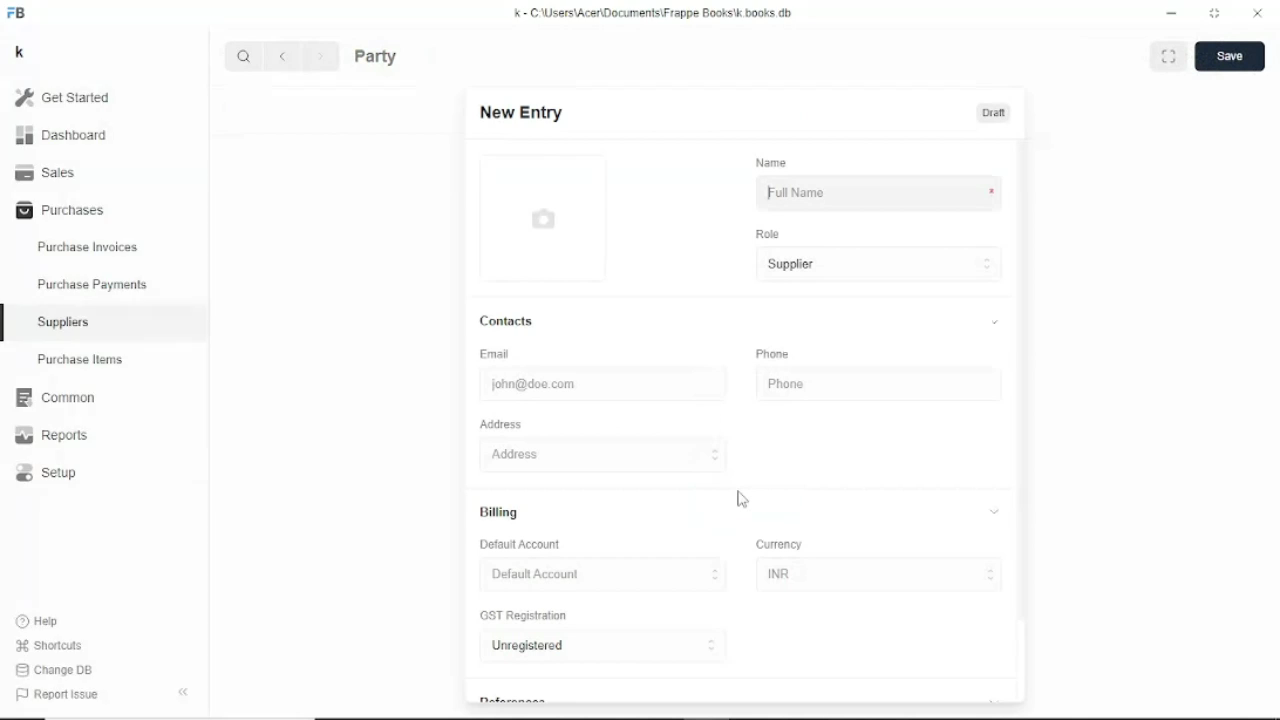  What do you see at coordinates (741, 499) in the screenshot?
I see `Cursor` at bounding box center [741, 499].